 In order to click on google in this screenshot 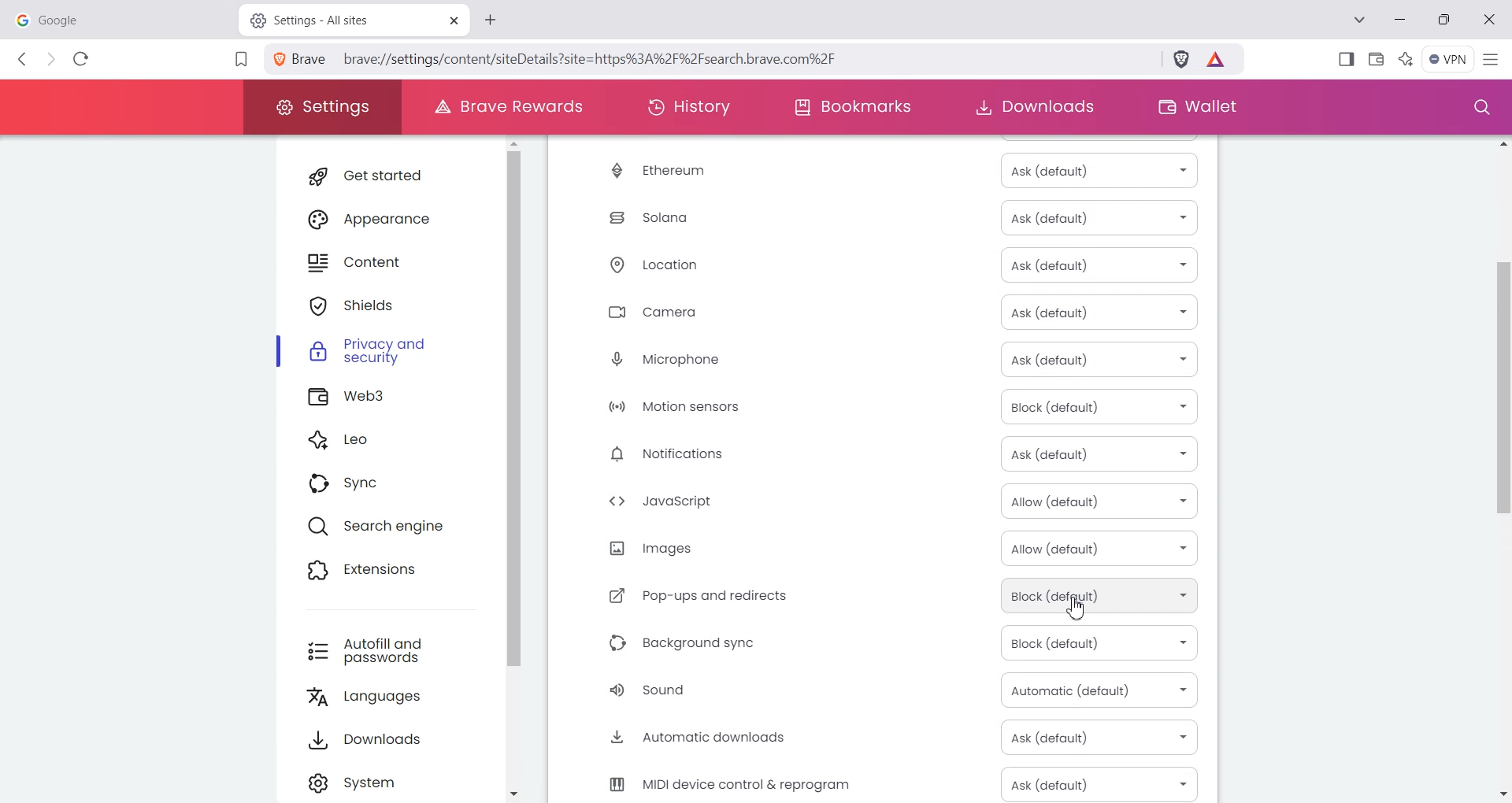, I will do `click(118, 18)`.